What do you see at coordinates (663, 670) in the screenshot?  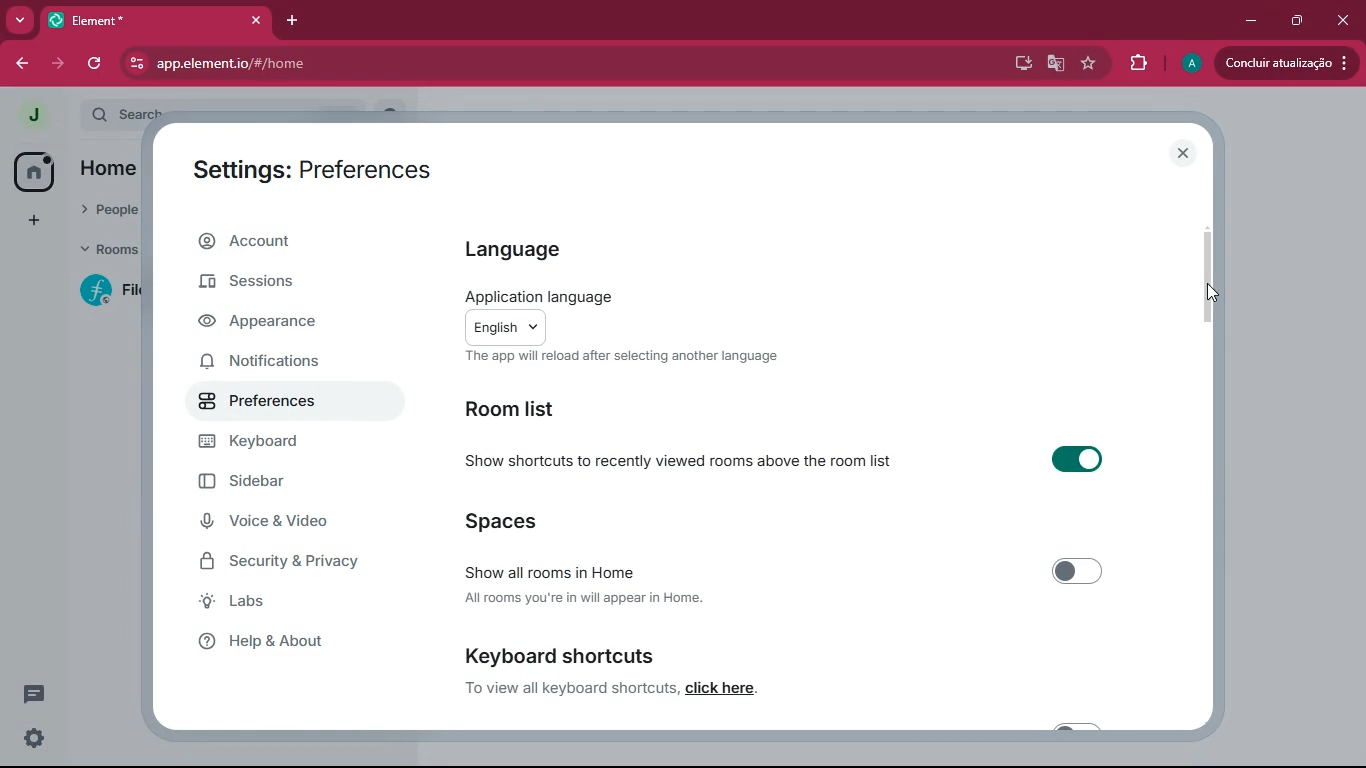 I see `keyboard shortcuts` at bounding box center [663, 670].